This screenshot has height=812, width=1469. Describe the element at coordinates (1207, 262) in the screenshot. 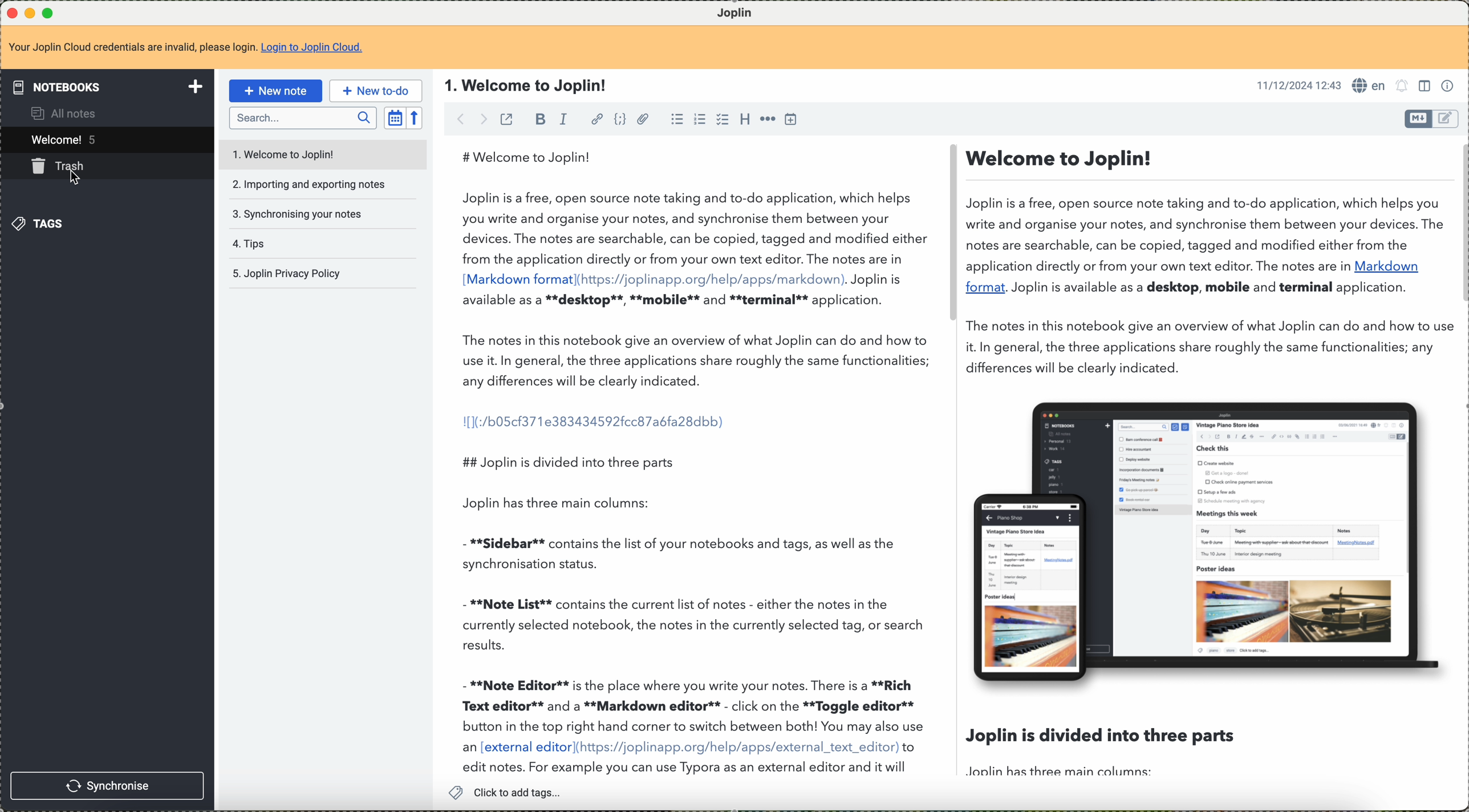

I see `Welcome to Joplin! Joplin is a free, open source note taking and to-do application, which helps youite and organise your notes, and synchronise them between your devices. Thetes are searchable, can be copied, tagged and modified either from theplication directly or from your own text editor. The notes are in Markdownrmat. Joplin is available as a desktop, mobile and terminal application.e notes in this notebook give an overview of what Joplin can do and how to useIn general, the three applications share roughly the same functionalities; anyferences will be clearly indicated.` at that location.